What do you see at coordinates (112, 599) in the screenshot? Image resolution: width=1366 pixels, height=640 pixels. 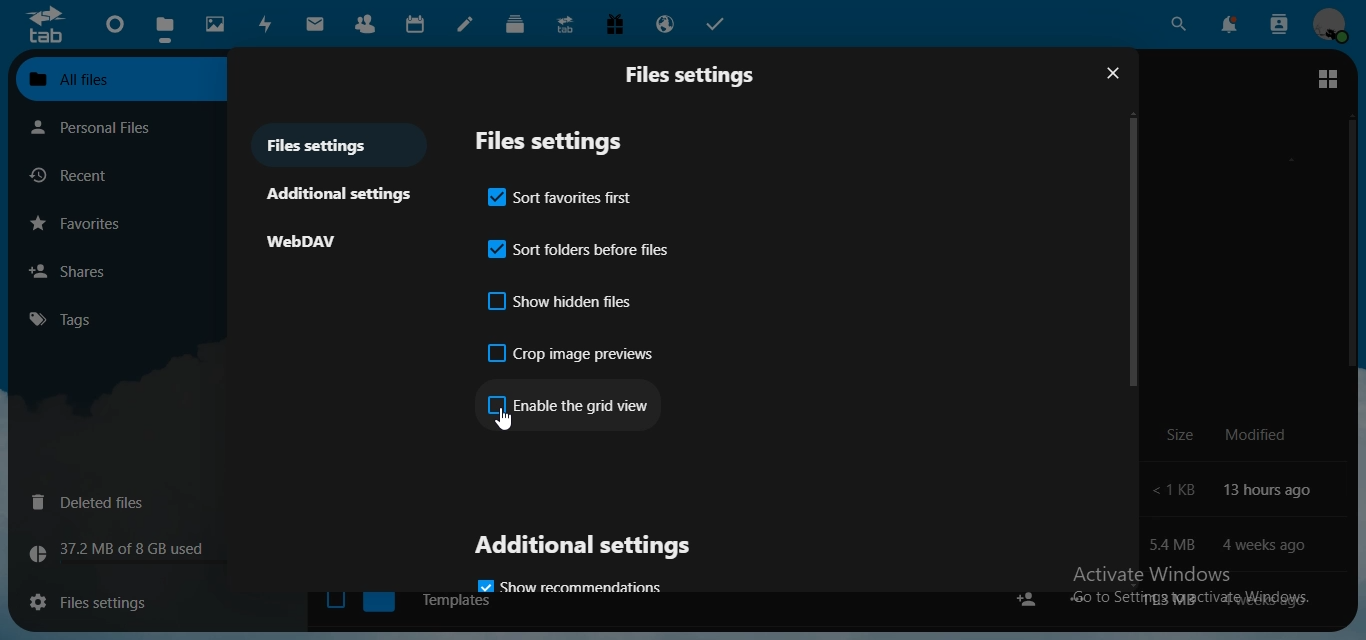 I see `files settings` at bounding box center [112, 599].